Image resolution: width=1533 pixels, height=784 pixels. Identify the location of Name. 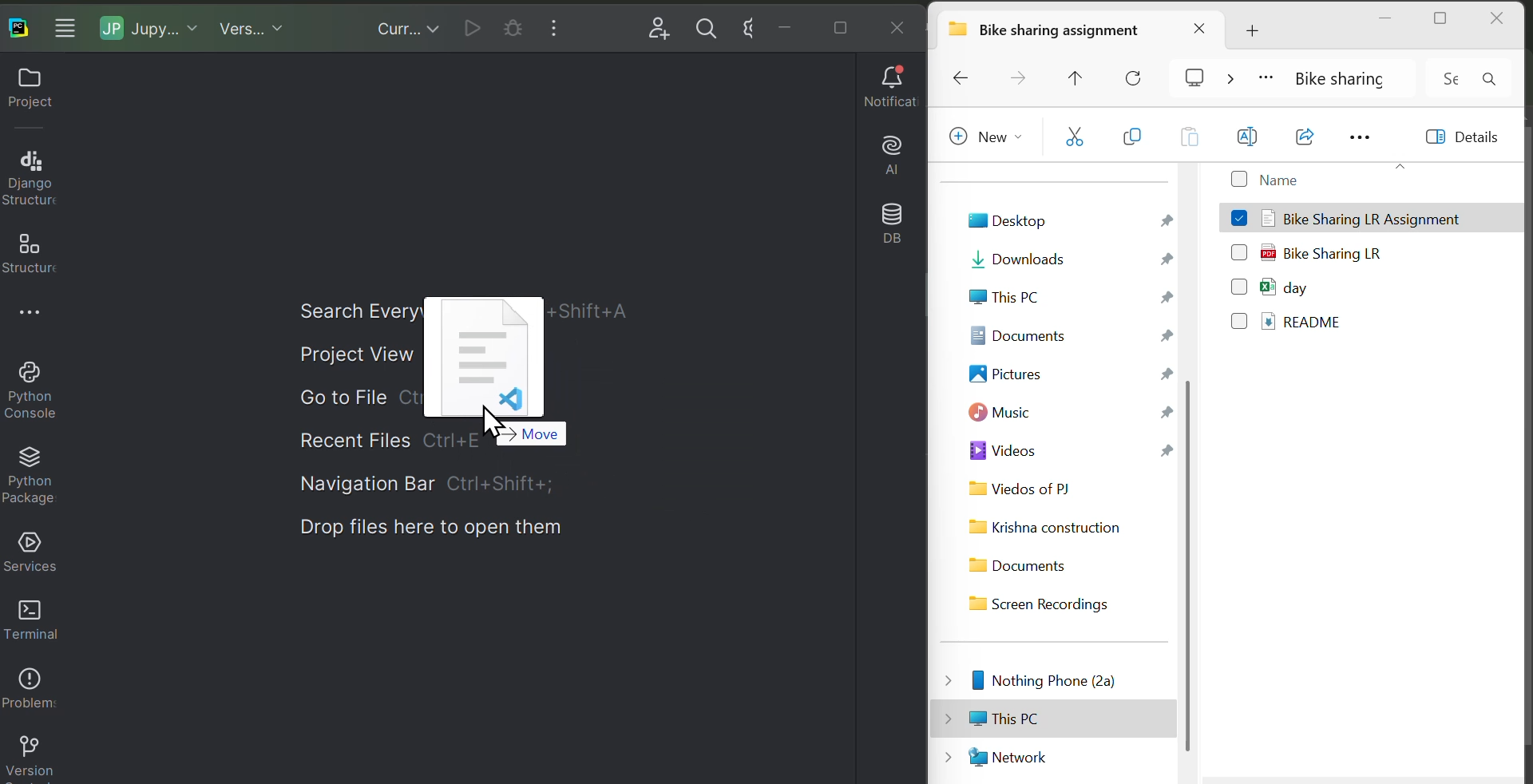
(1307, 178).